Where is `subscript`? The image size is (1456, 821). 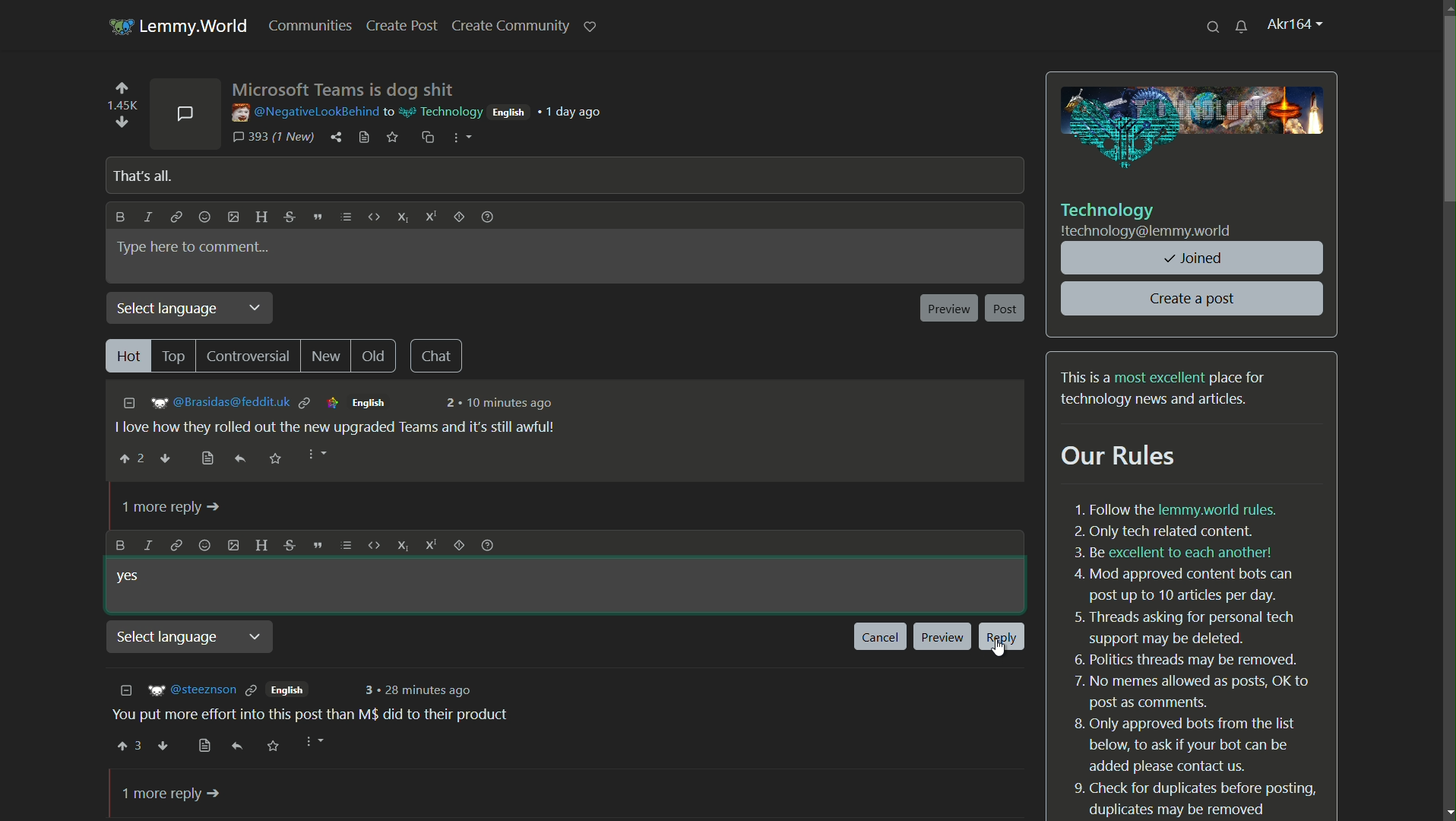
subscript is located at coordinates (400, 546).